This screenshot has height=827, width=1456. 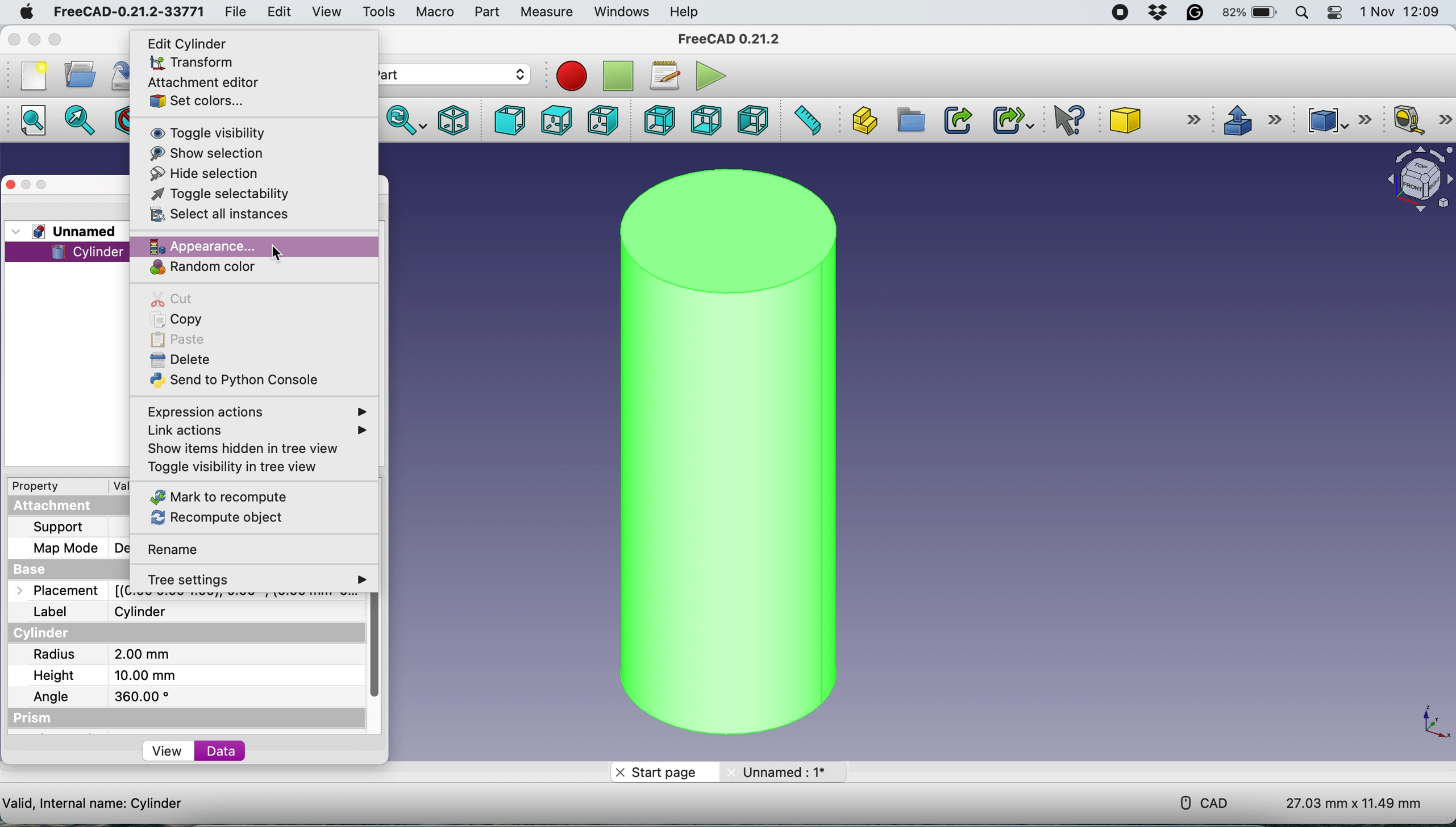 I want to click on view, so click(x=325, y=12).